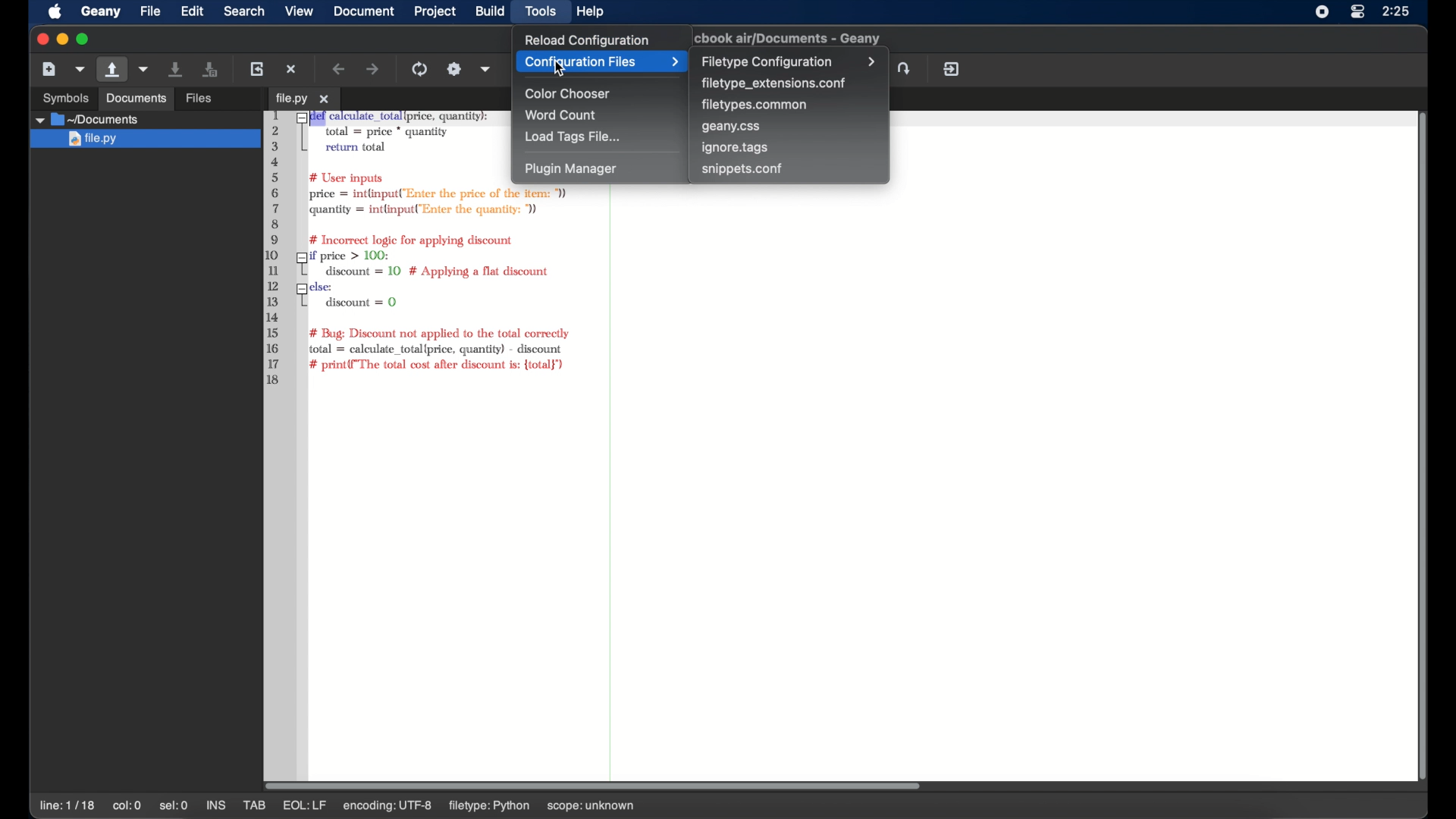 This screenshot has width=1456, height=819. Describe the element at coordinates (422, 69) in the screenshot. I see `compile the current file` at that location.